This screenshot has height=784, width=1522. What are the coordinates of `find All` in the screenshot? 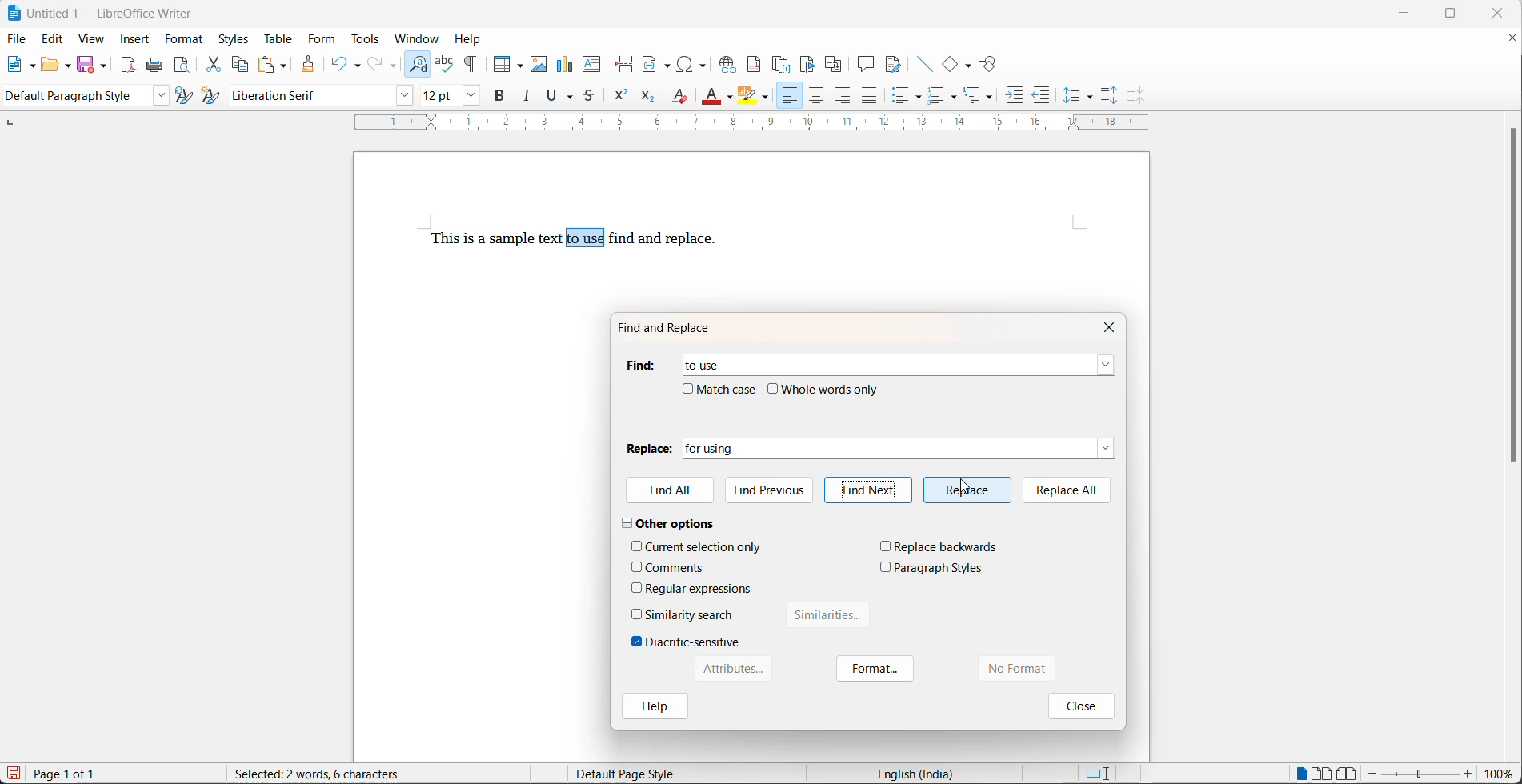 It's located at (671, 492).